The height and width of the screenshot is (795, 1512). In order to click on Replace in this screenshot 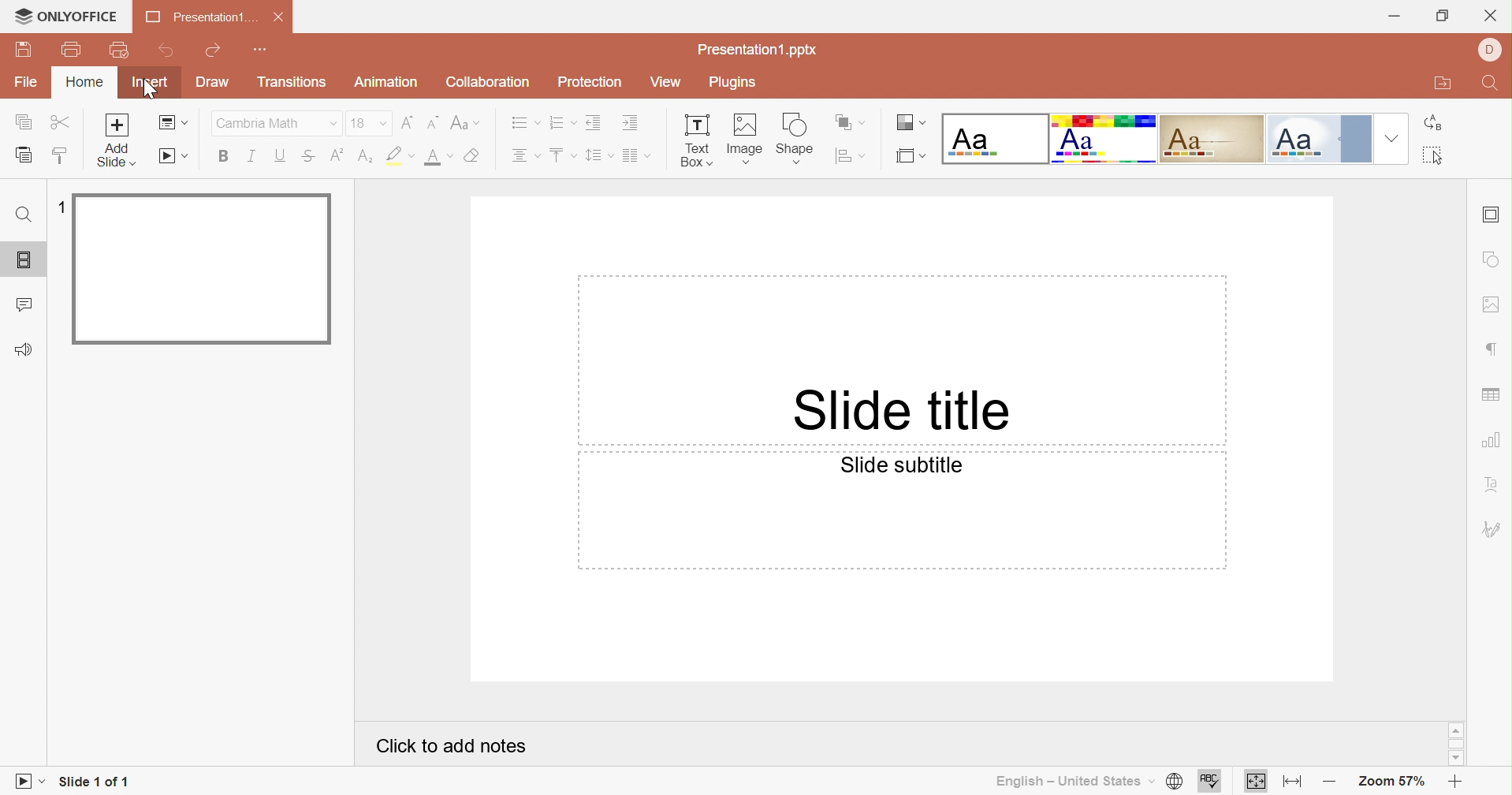, I will do `click(1432, 121)`.